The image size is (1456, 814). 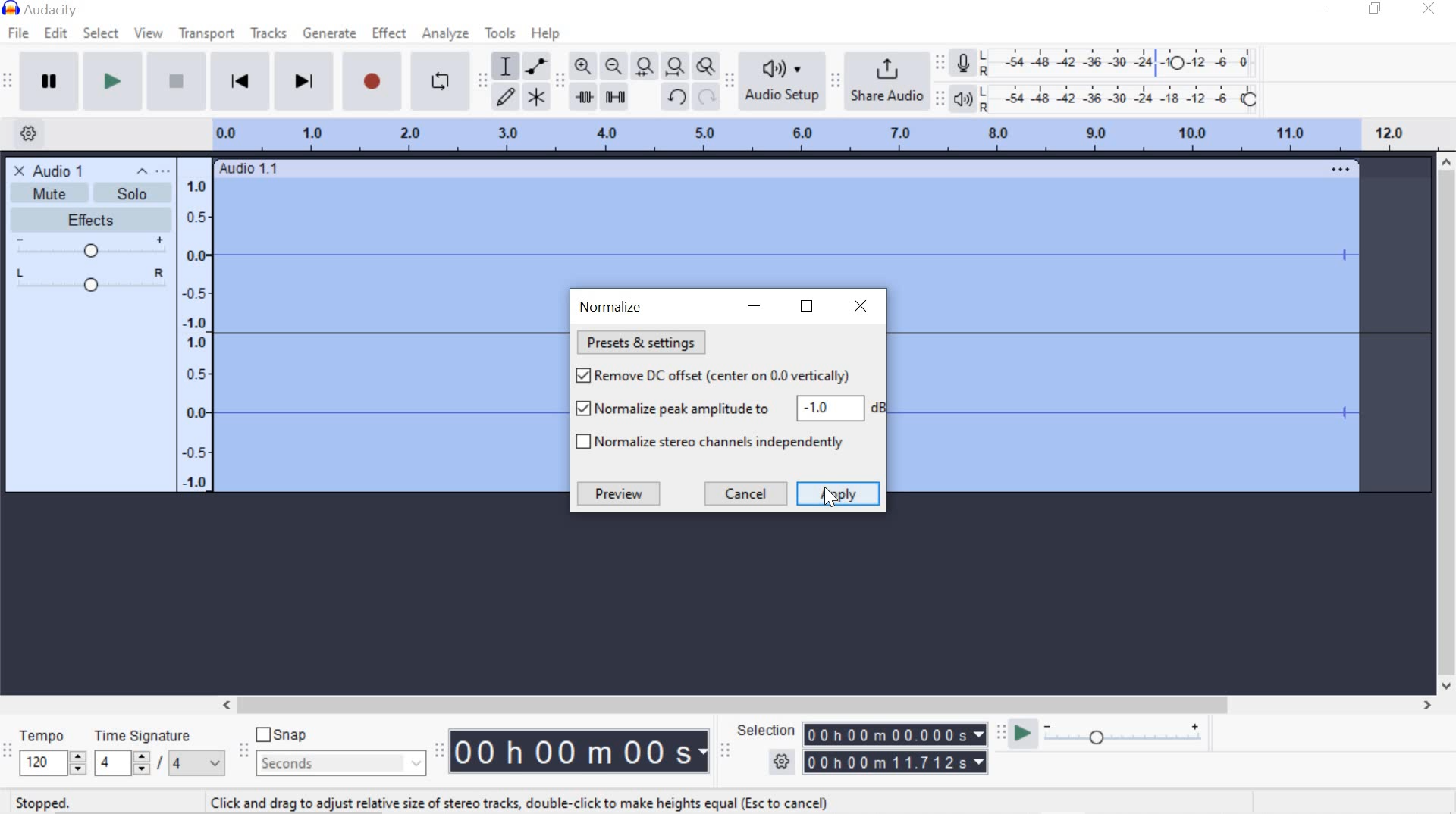 I want to click on Trim audio outside selection, so click(x=583, y=95).